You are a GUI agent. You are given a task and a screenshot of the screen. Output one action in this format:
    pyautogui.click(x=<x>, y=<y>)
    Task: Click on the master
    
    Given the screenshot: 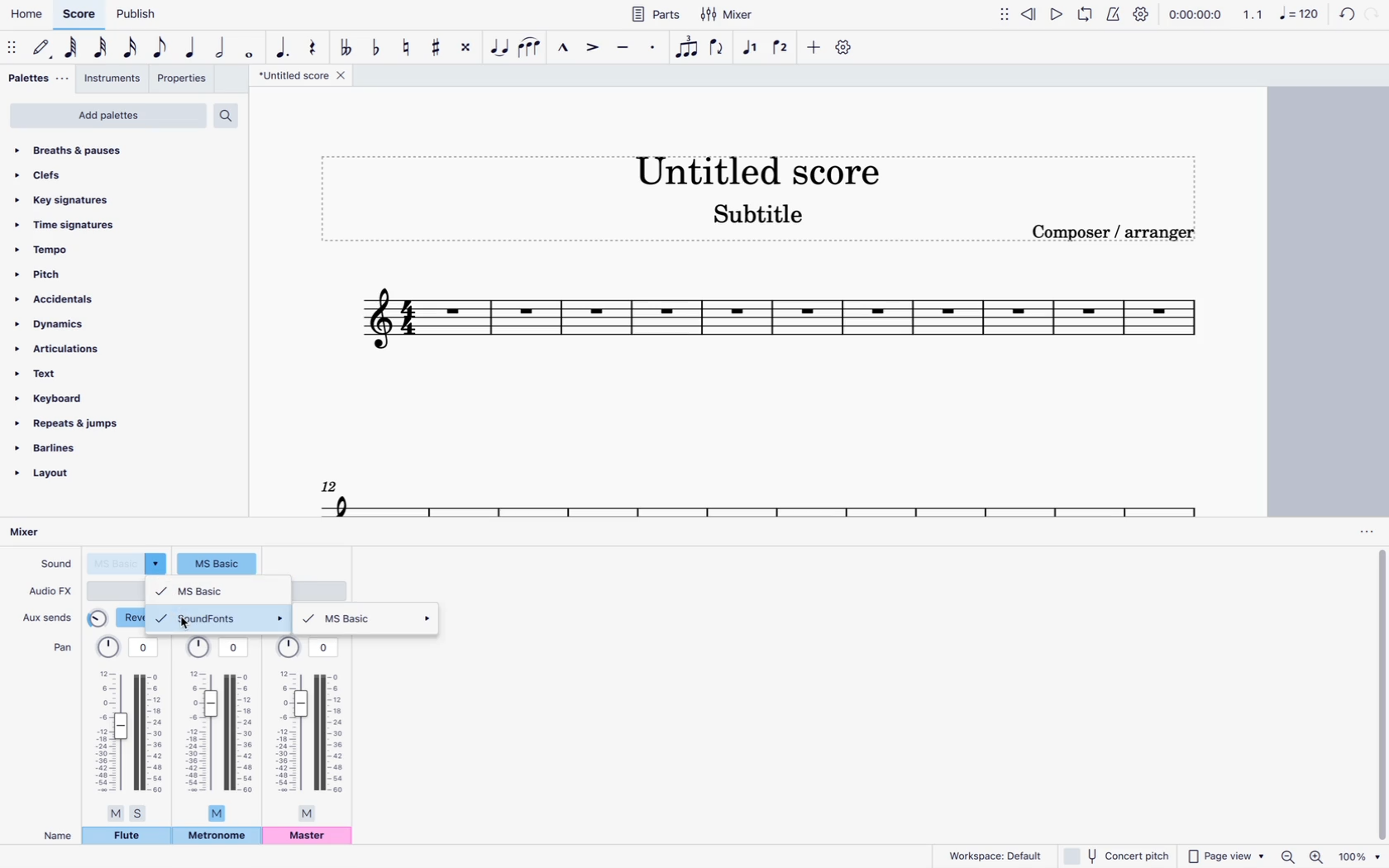 What is the action you would take?
    pyautogui.click(x=308, y=837)
    